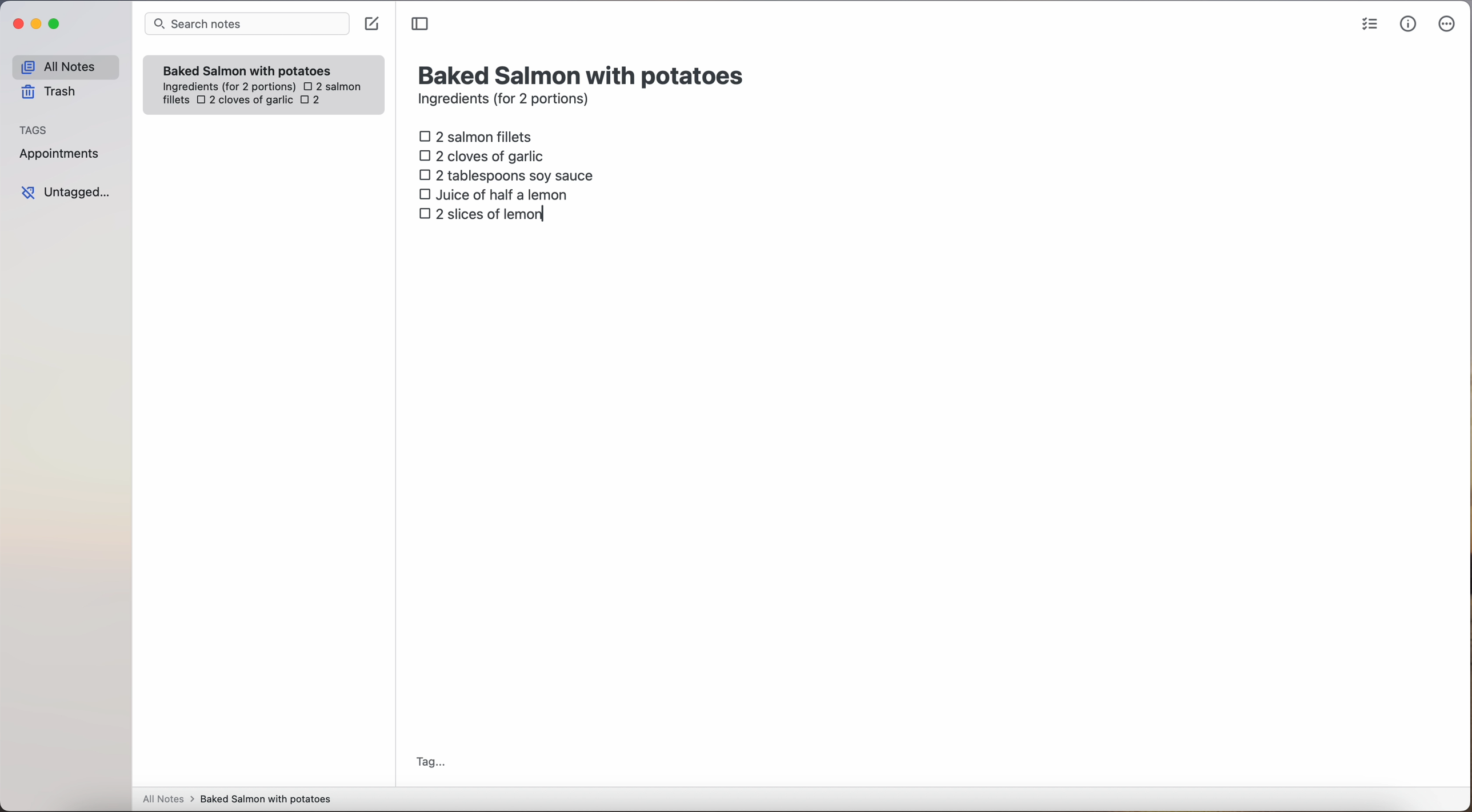 Image resolution: width=1472 pixels, height=812 pixels. What do you see at coordinates (53, 92) in the screenshot?
I see `trash` at bounding box center [53, 92].